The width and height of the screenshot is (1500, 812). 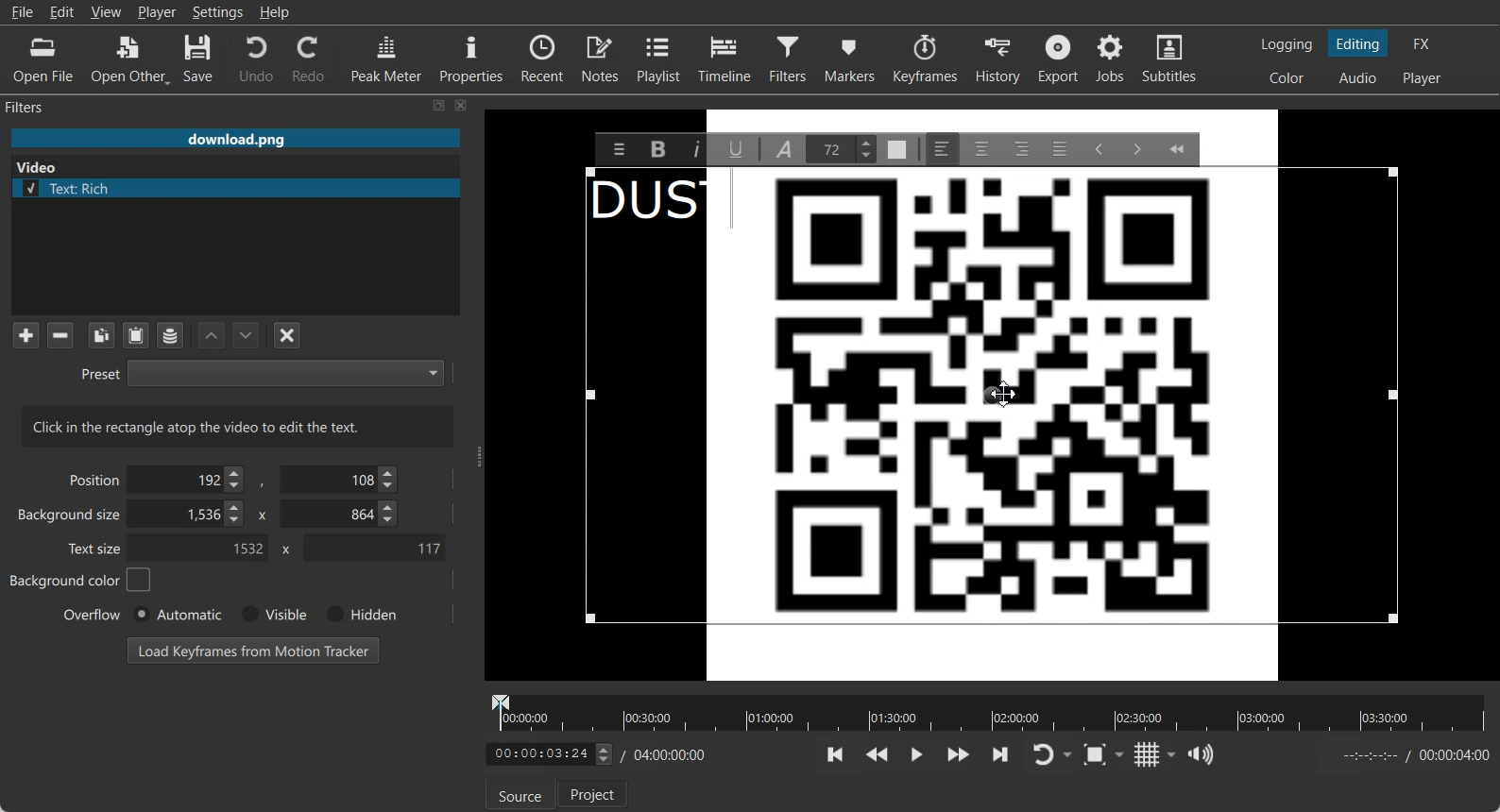 What do you see at coordinates (288, 335) in the screenshot?
I see `Deselect the filter` at bounding box center [288, 335].